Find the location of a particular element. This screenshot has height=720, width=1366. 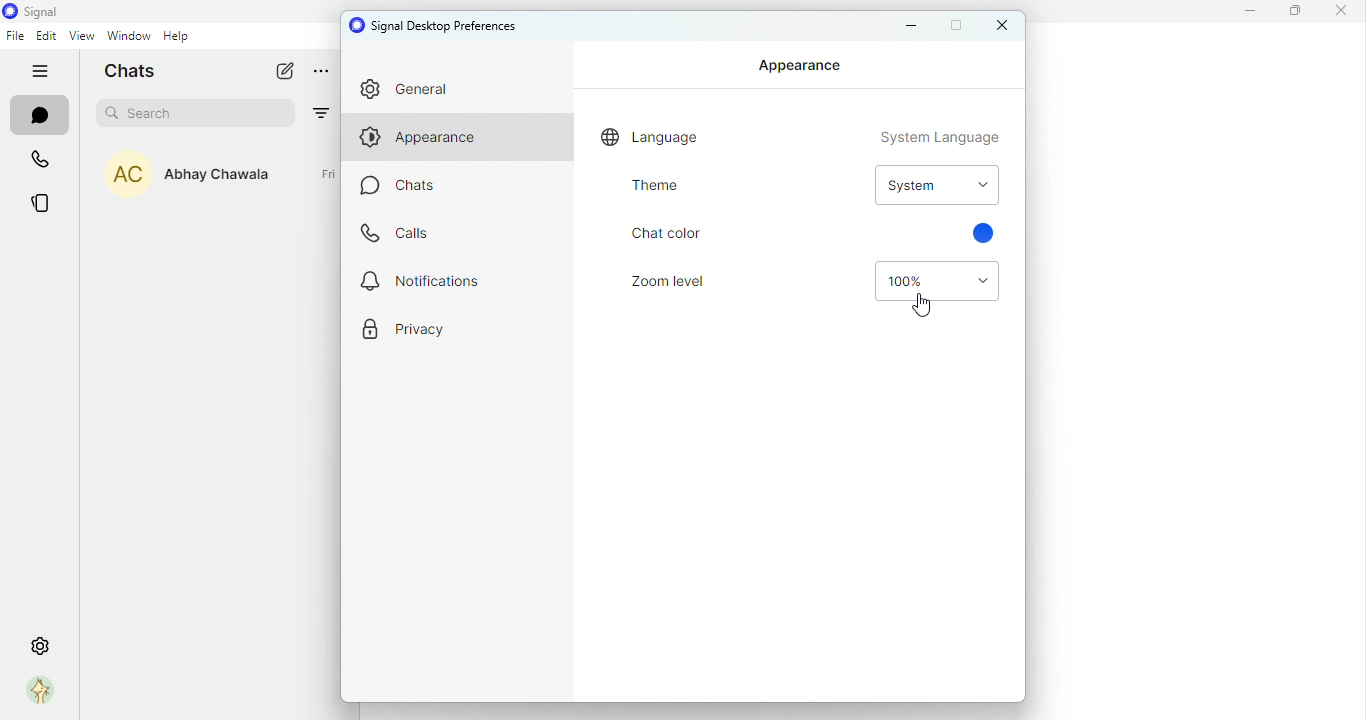

filter by unread is located at coordinates (323, 112).